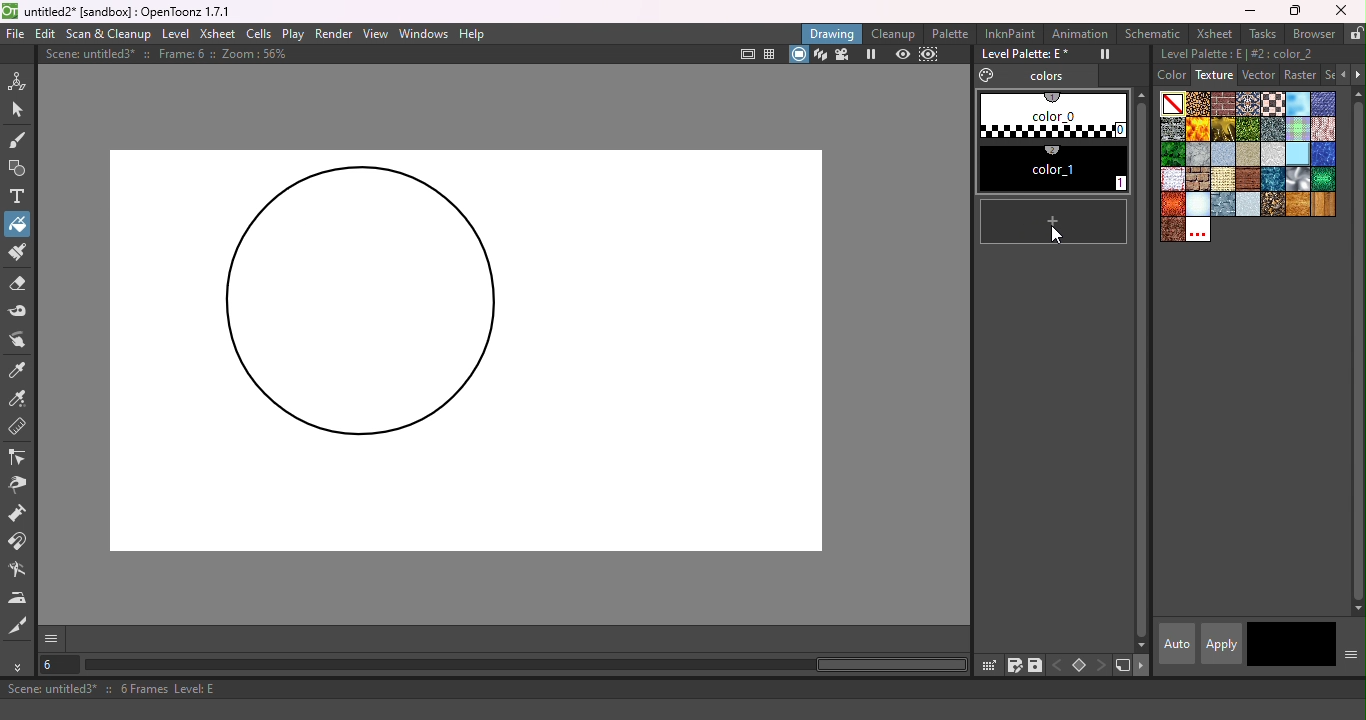 The image size is (1366, 720). Describe the element at coordinates (1323, 179) in the screenshot. I see `snakeskin.bmp` at that location.